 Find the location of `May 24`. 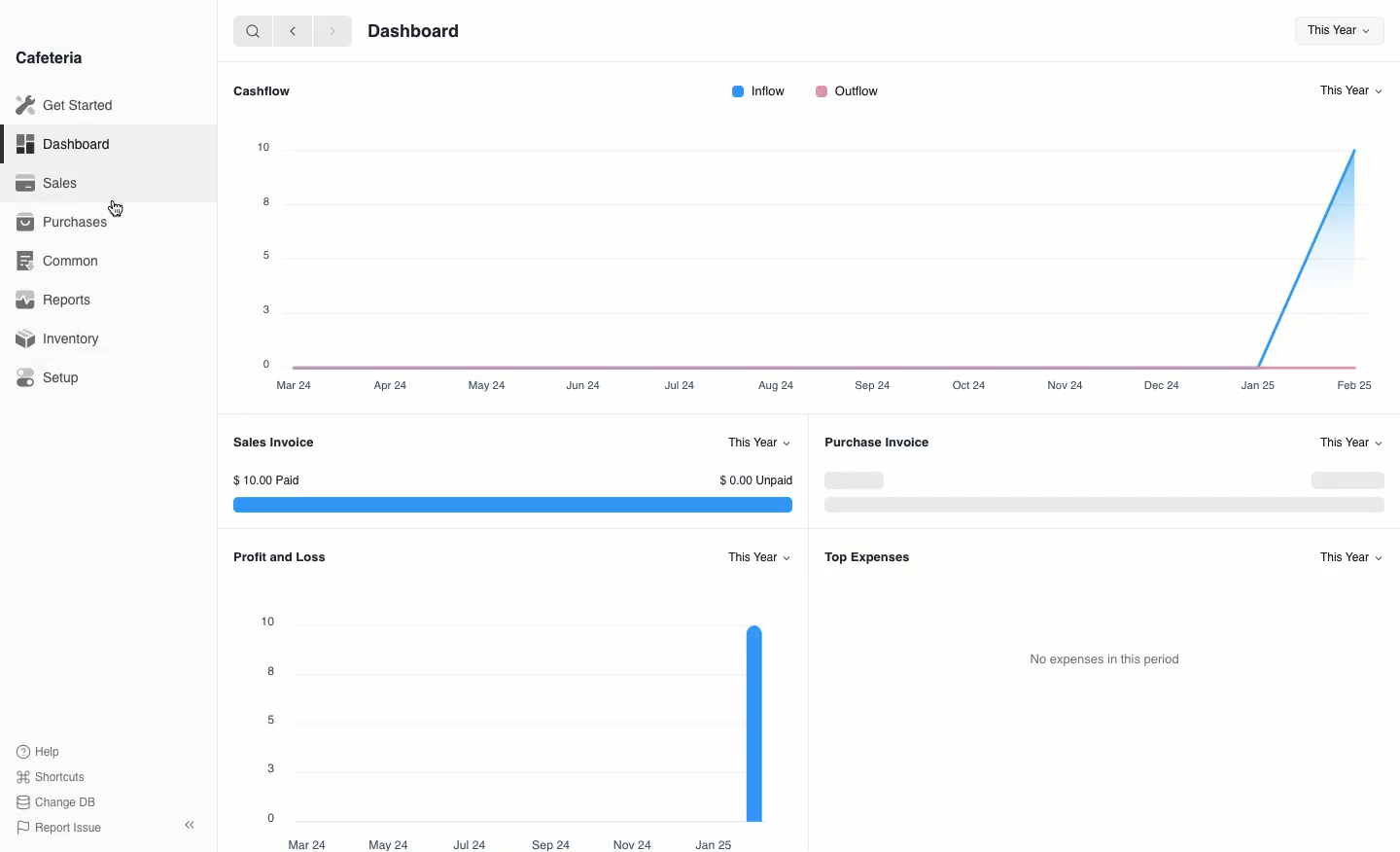

May 24 is located at coordinates (387, 843).